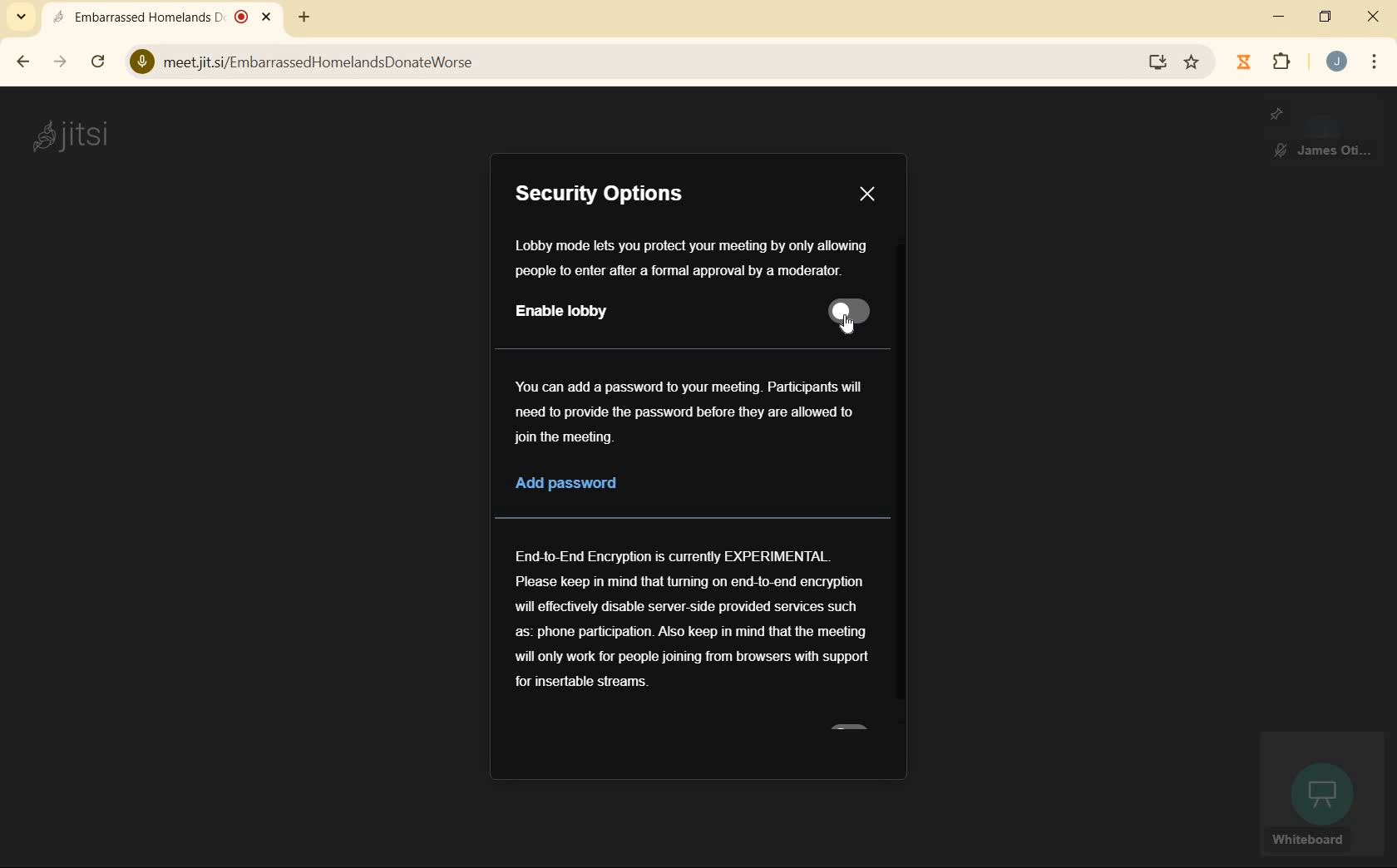 The image size is (1397, 868). What do you see at coordinates (1276, 17) in the screenshot?
I see `minimize` at bounding box center [1276, 17].